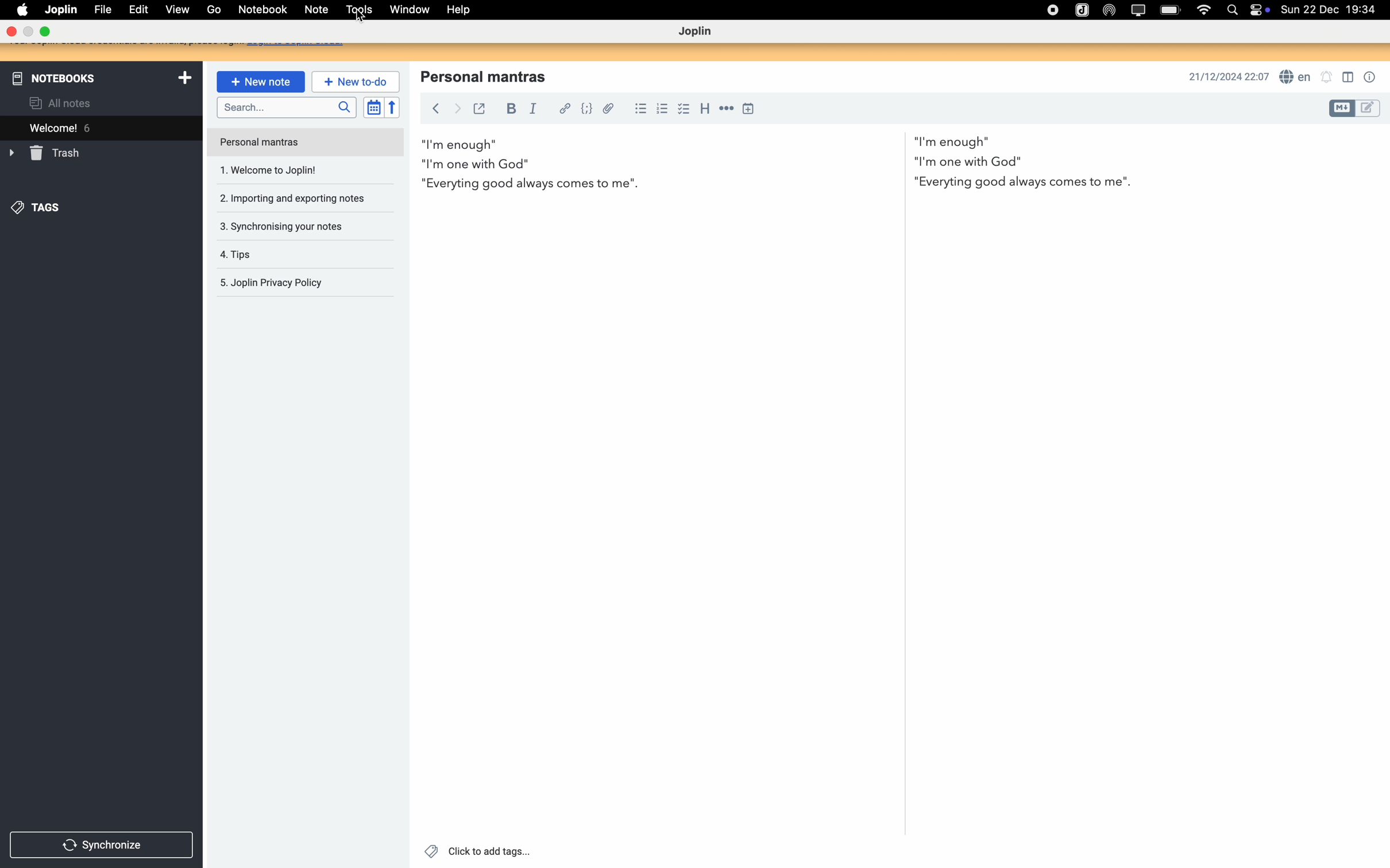 The image size is (1390, 868). I want to click on note properties, so click(1370, 77).